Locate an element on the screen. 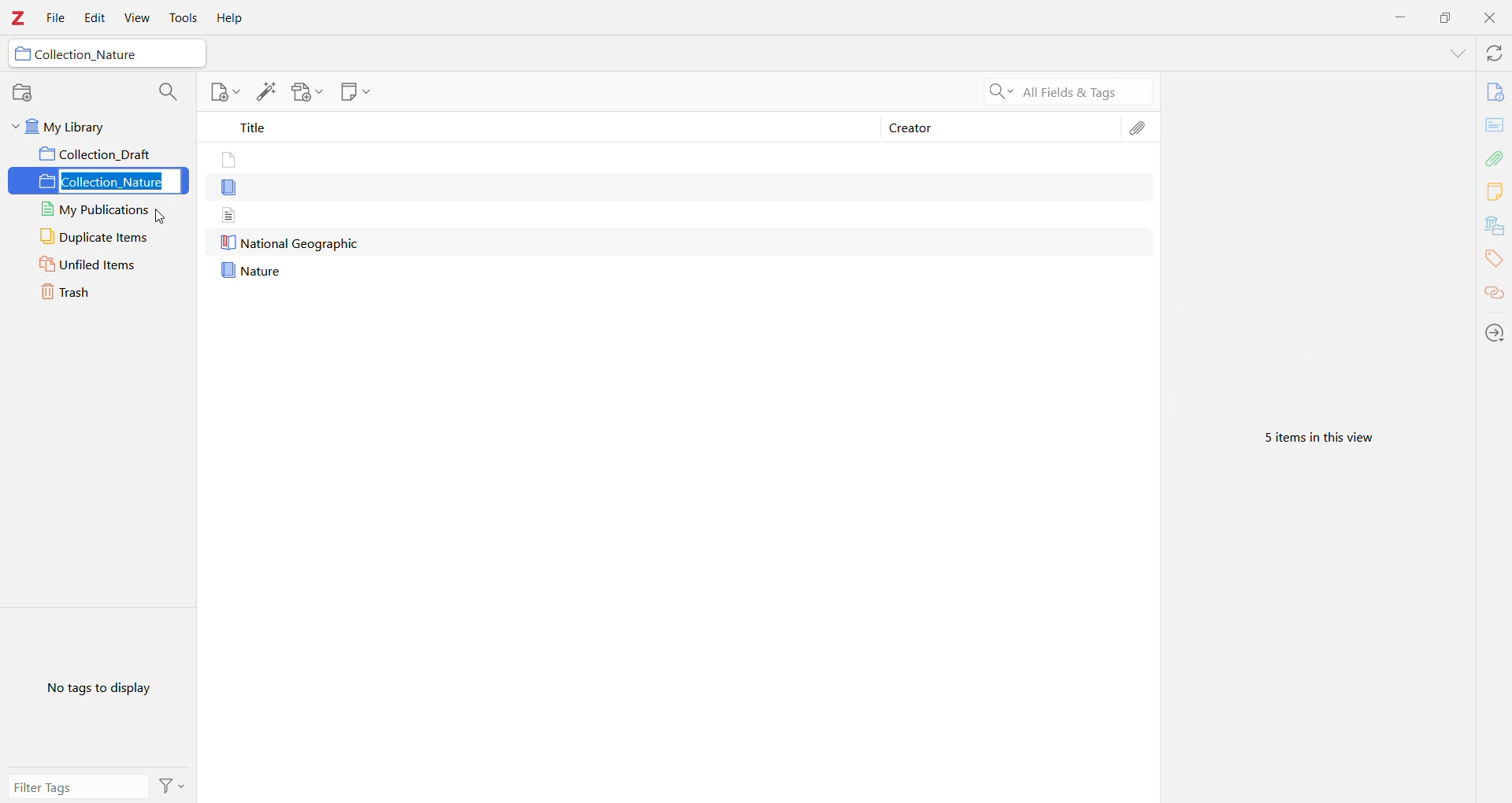  cursor is located at coordinates (154, 213).